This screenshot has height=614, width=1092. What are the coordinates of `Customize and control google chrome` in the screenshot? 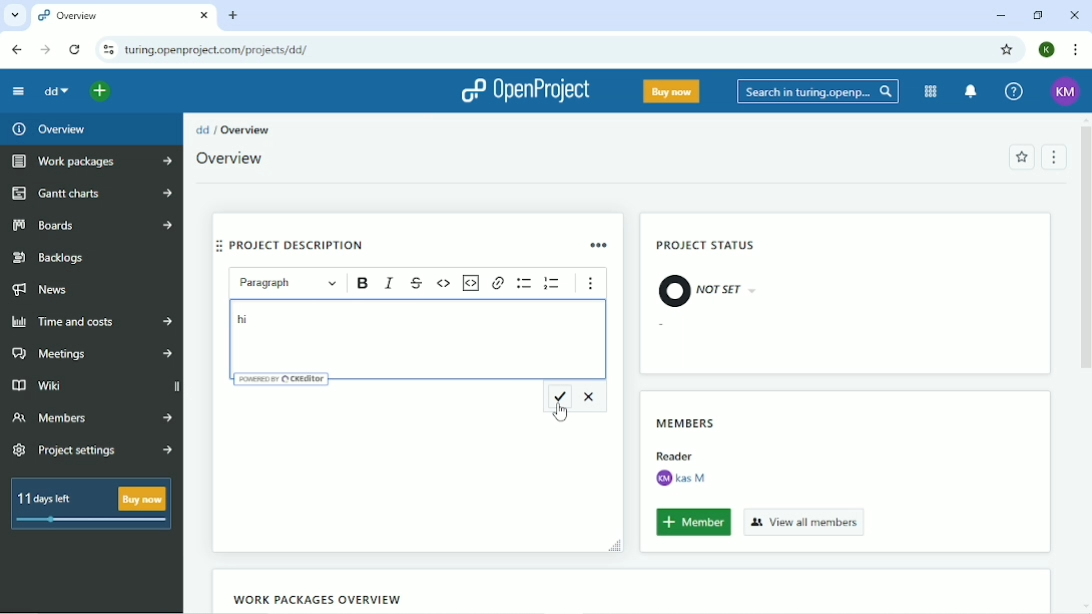 It's located at (1074, 49).